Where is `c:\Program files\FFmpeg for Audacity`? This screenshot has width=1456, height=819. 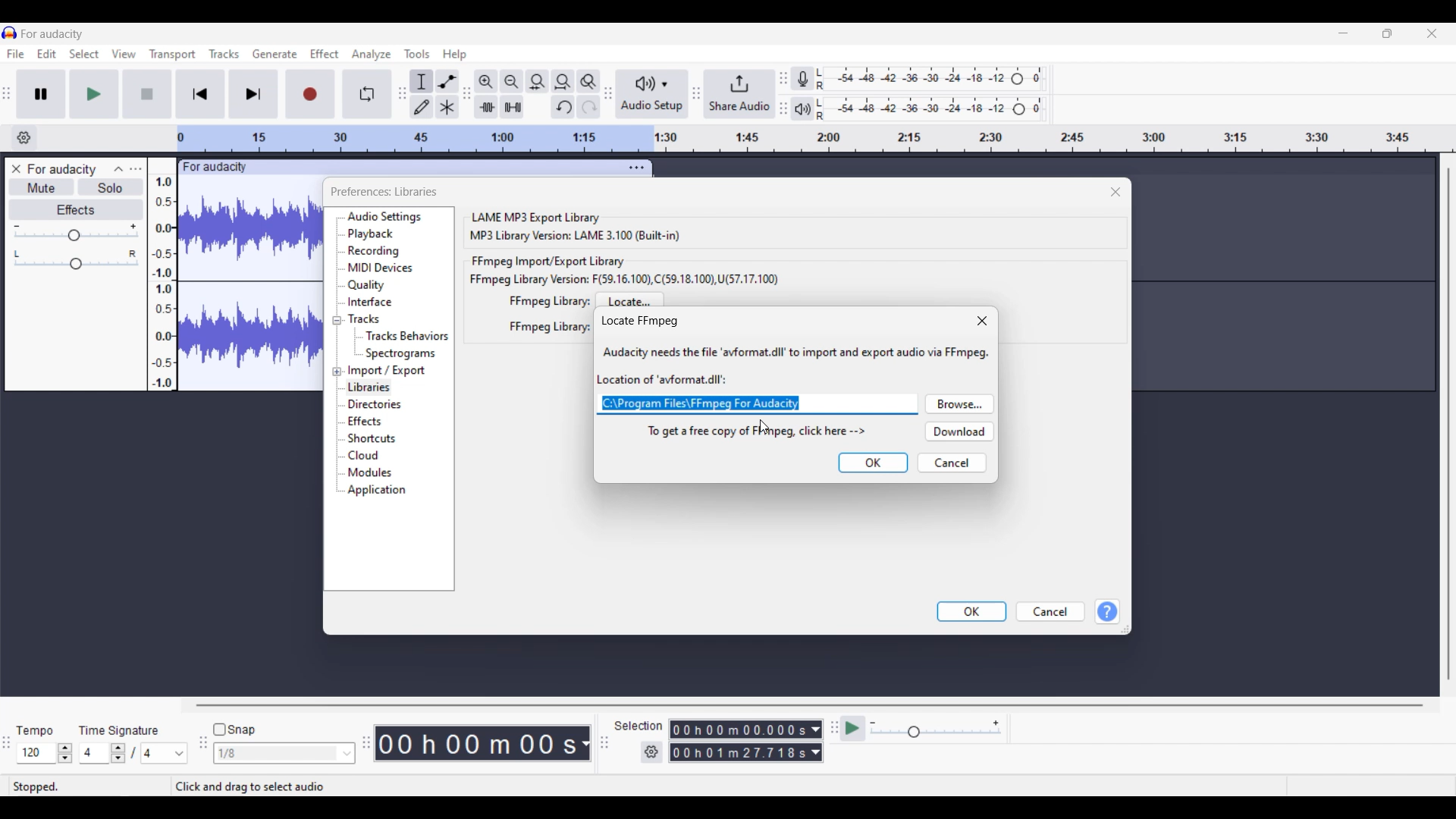 c:\Program files\FFmpeg for Audacity is located at coordinates (758, 403).